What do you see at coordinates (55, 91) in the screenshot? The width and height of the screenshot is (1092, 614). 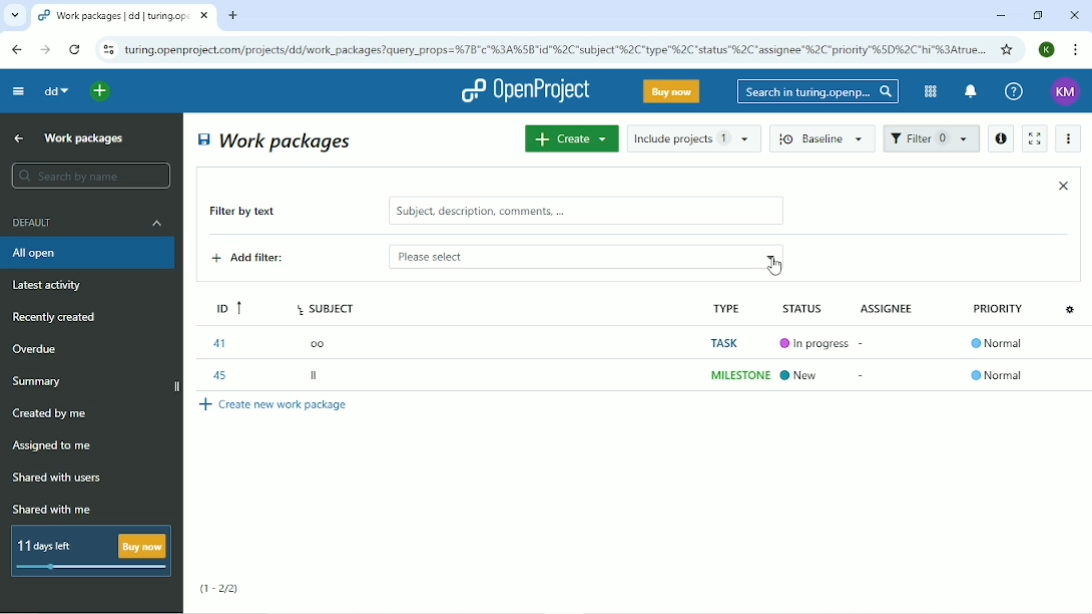 I see `dd` at bounding box center [55, 91].